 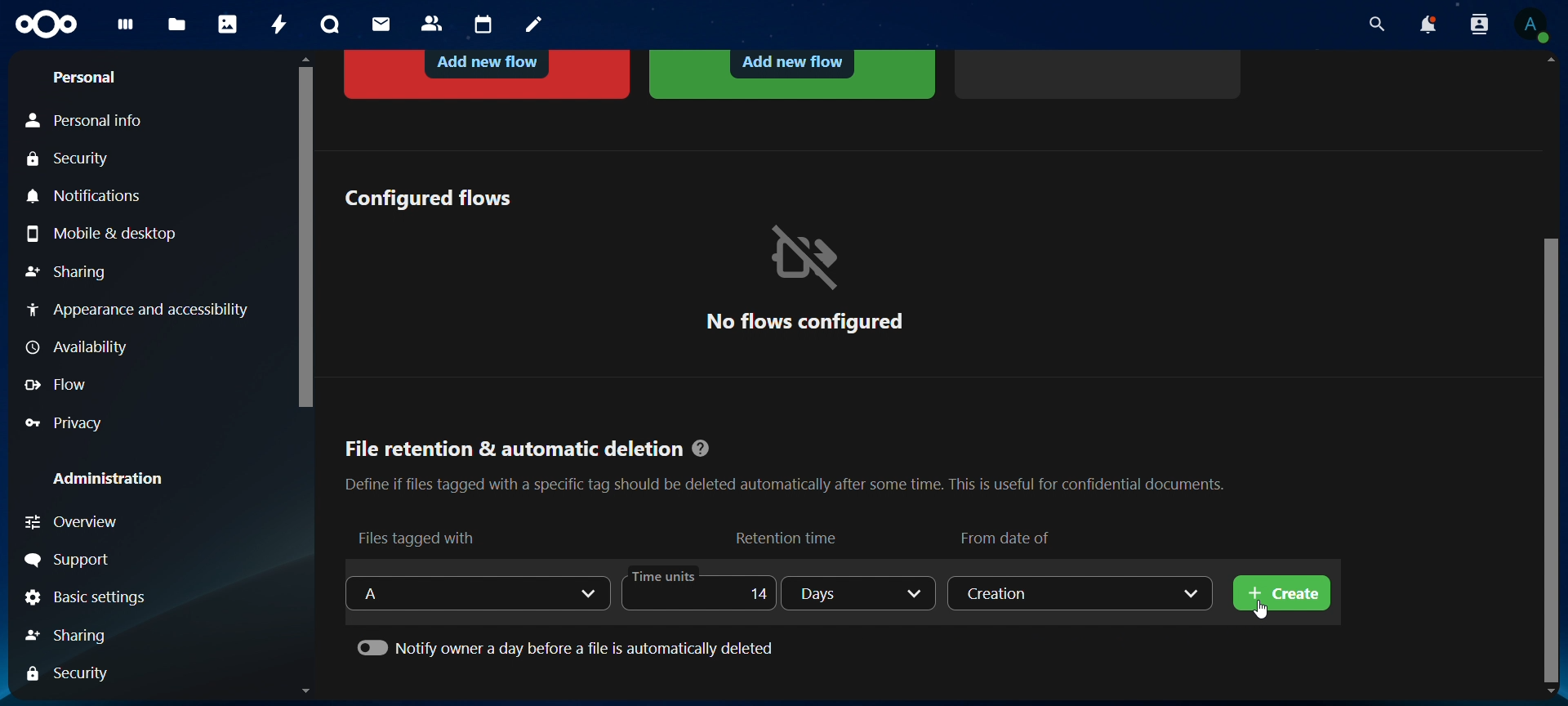 What do you see at coordinates (89, 197) in the screenshot?
I see `notifications` at bounding box center [89, 197].